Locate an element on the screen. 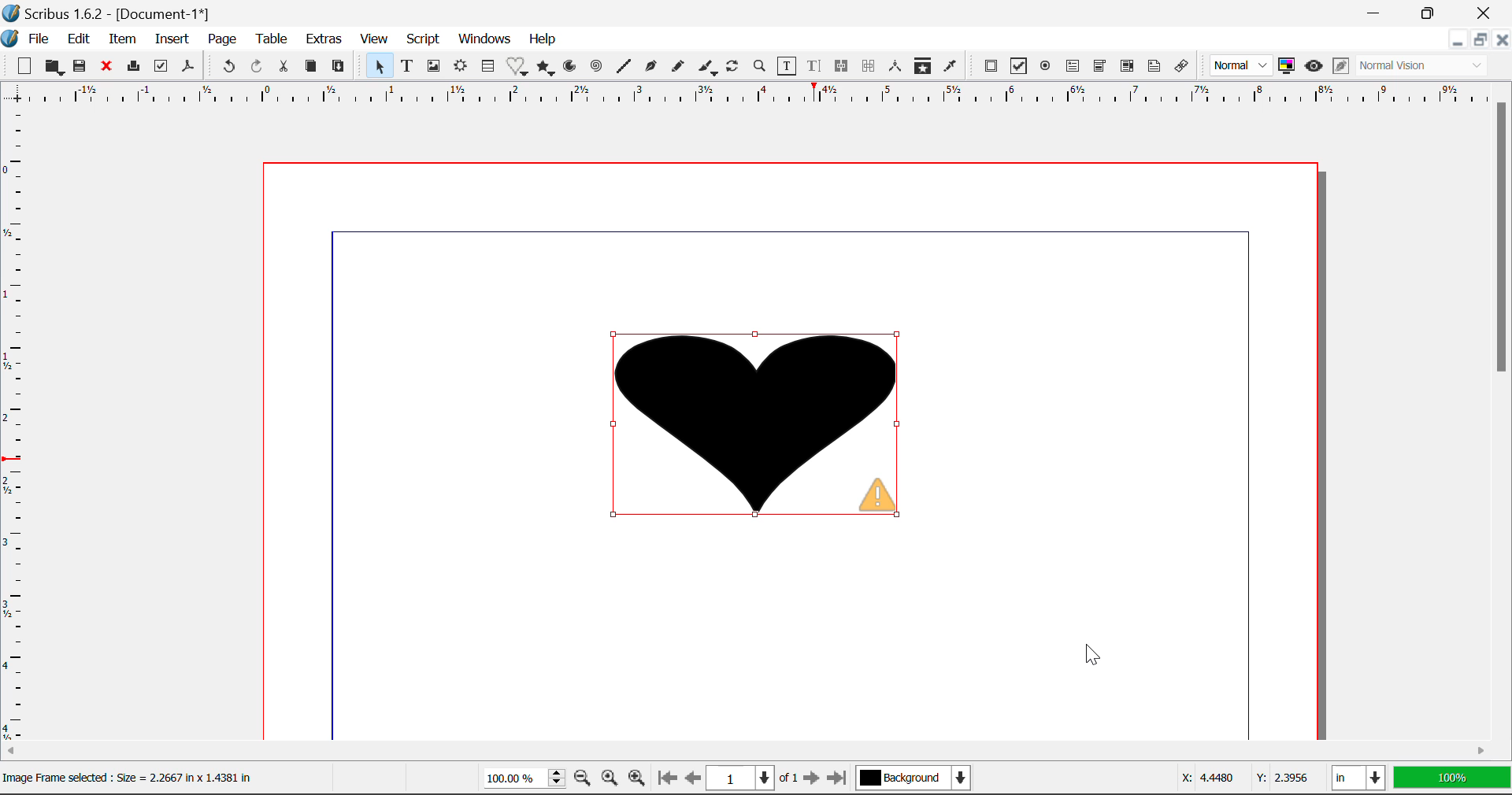 This screenshot has width=1512, height=795. Pdf List box is located at coordinates (1128, 68).